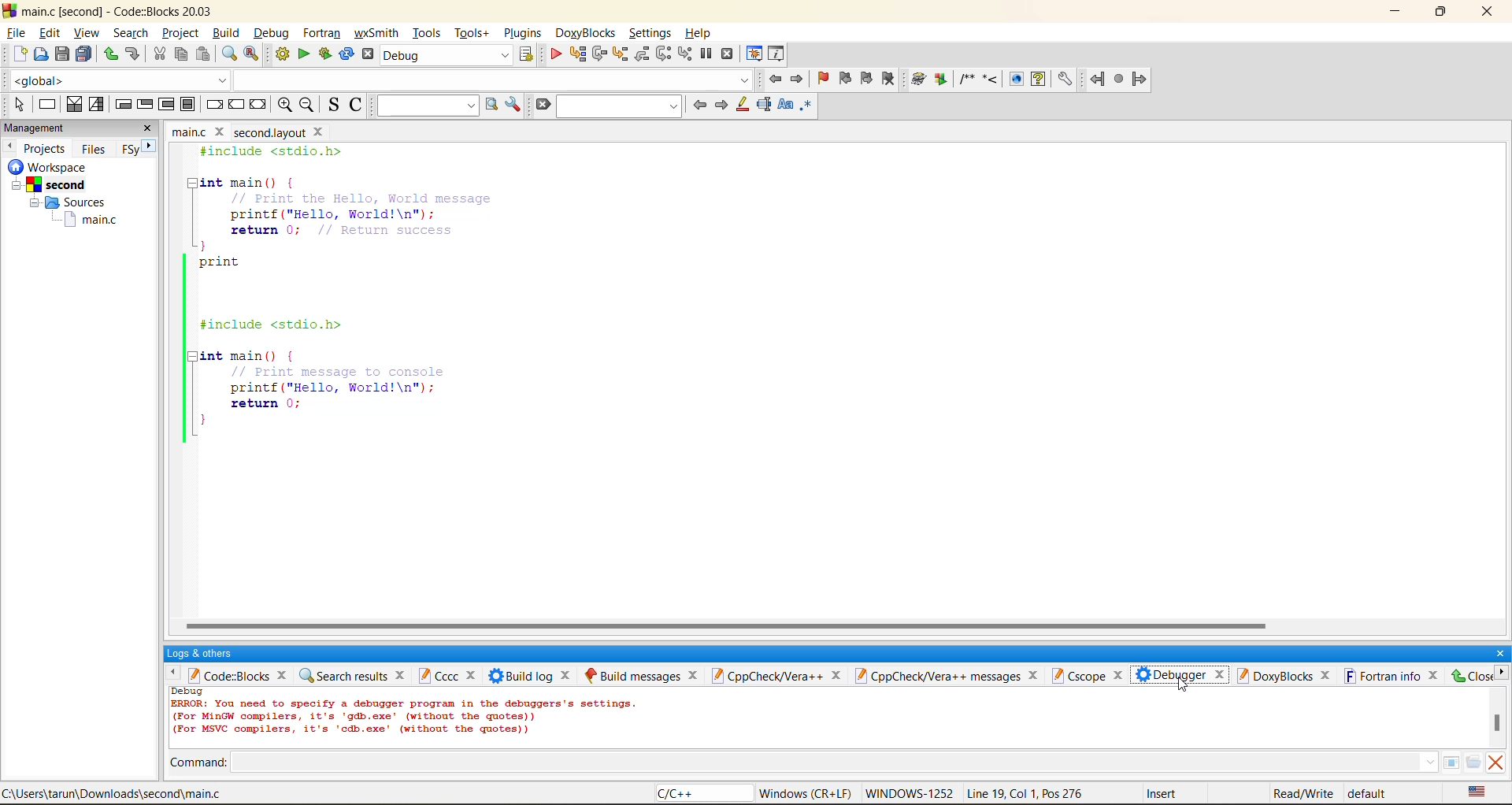 Image resolution: width=1512 pixels, height=805 pixels. I want to click on toggle comments, so click(355, 108).